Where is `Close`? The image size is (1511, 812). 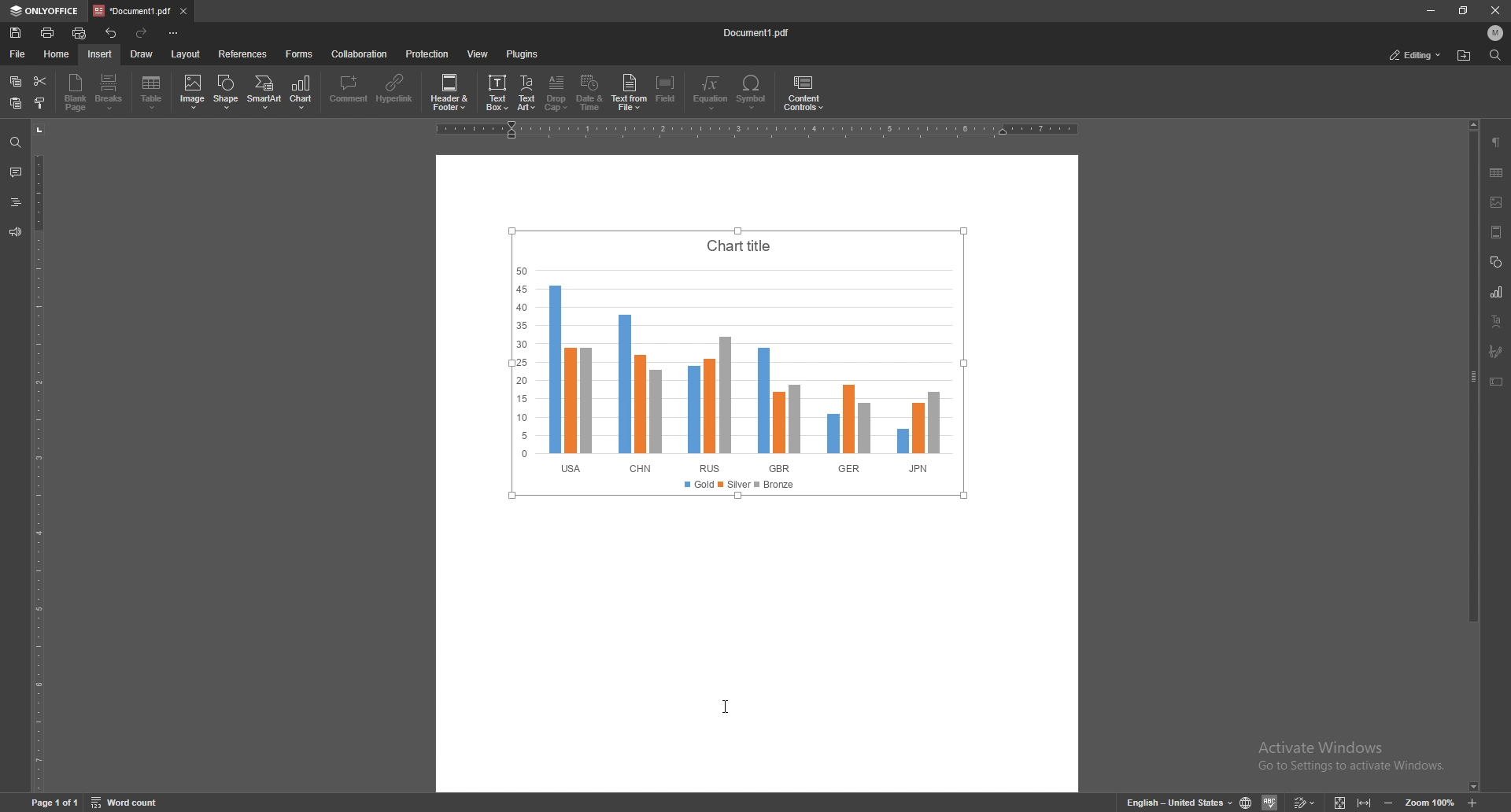 Close is located at coordinates (1491, 10).